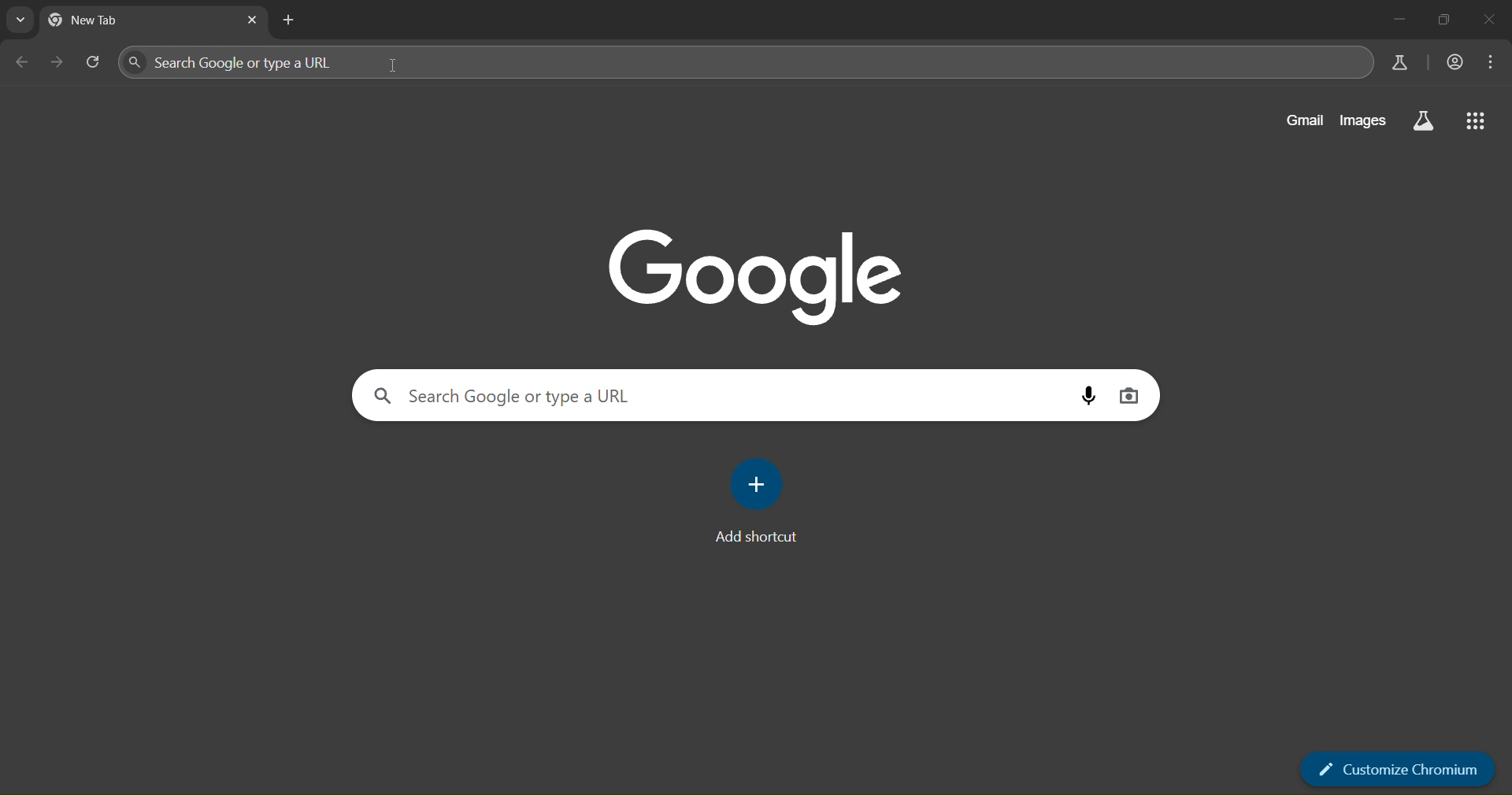 This screenshot has width=1512, height=795. I want to click on image, so click(758, 274).